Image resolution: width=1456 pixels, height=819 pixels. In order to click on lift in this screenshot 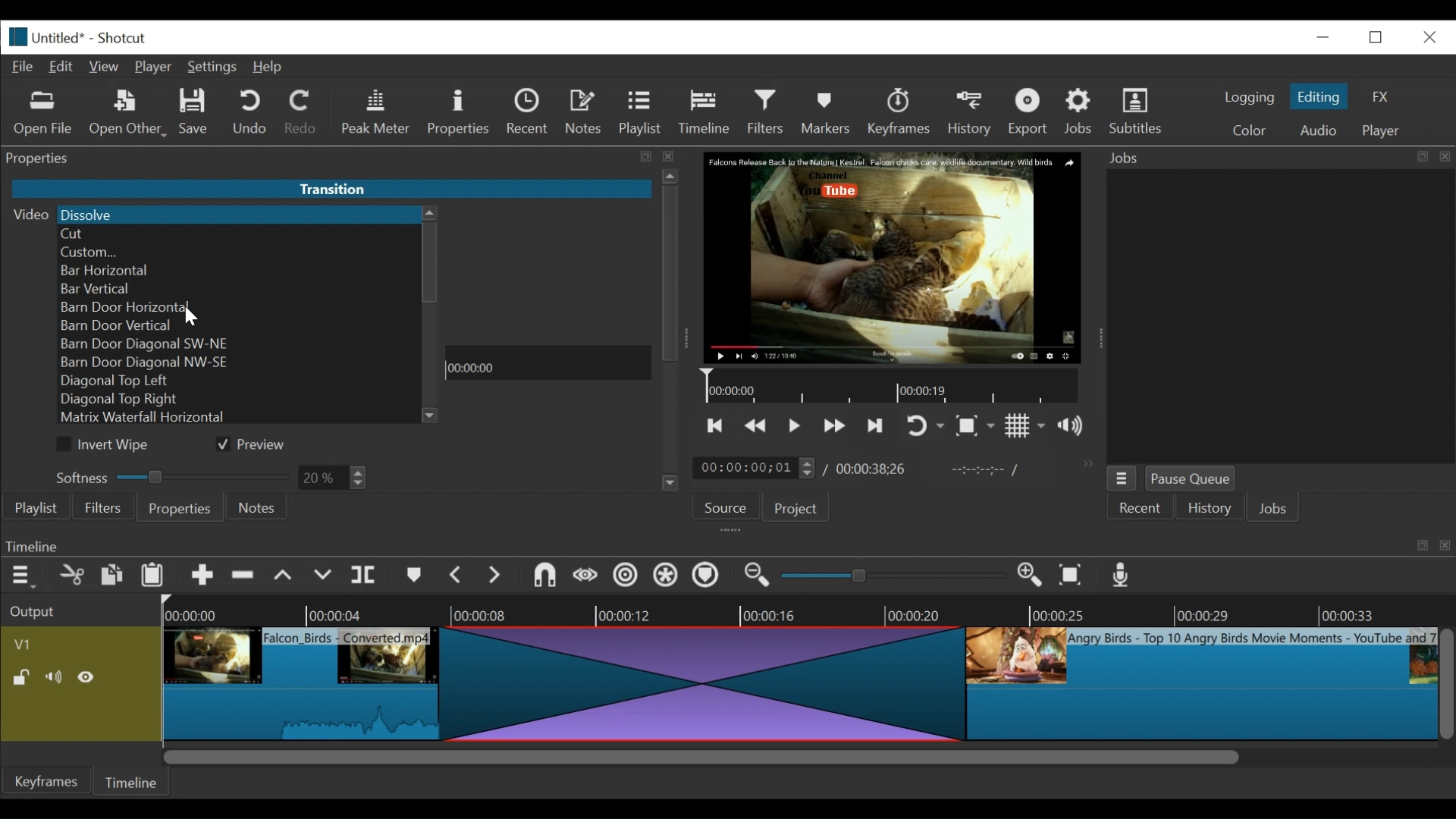, I will do `click(285, 577)`.